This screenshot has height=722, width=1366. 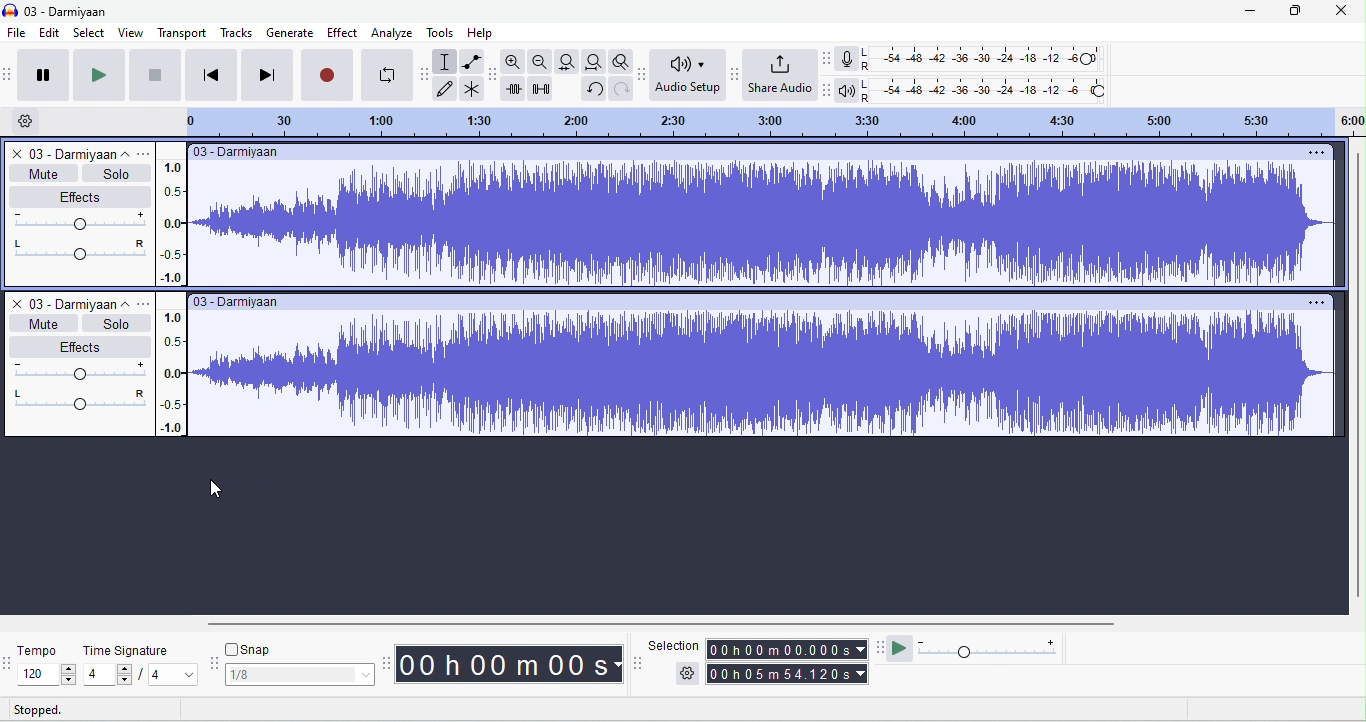 What do you see at coordinates (301, 674) in the screenshot?
I see `select snapping` at bounding box center [301, 674].